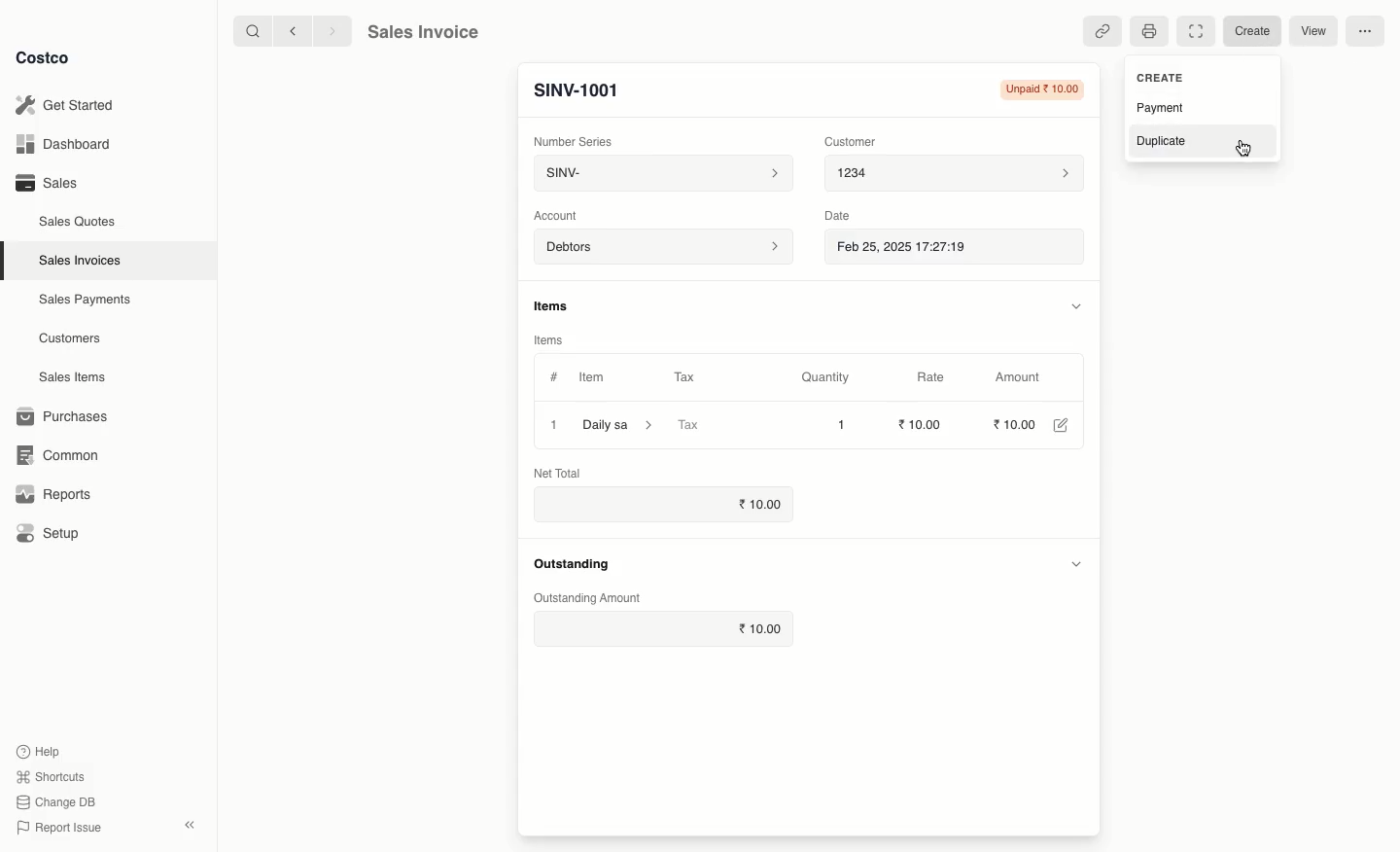  Describe the element at coordinates (554, 377) in the screenshot. I see `#` at that location.